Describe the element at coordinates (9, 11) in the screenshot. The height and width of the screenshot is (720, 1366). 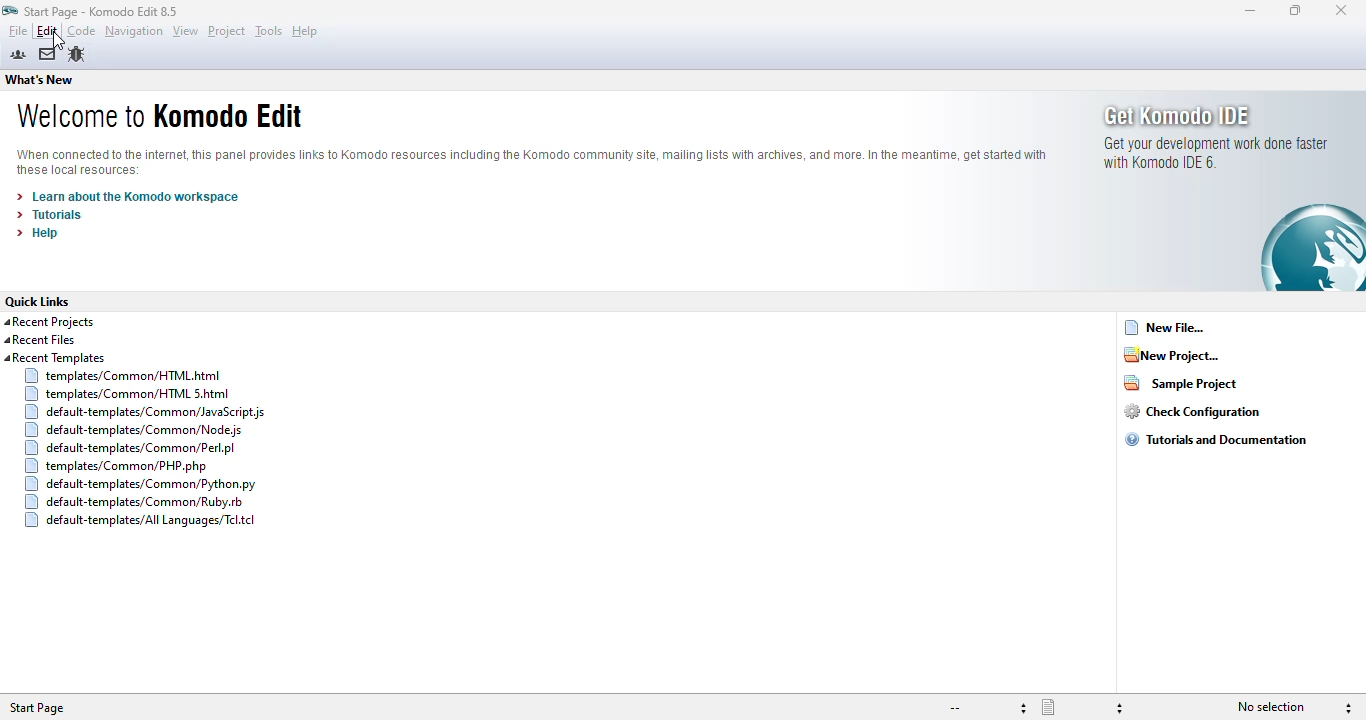
I see `logo` at that location.